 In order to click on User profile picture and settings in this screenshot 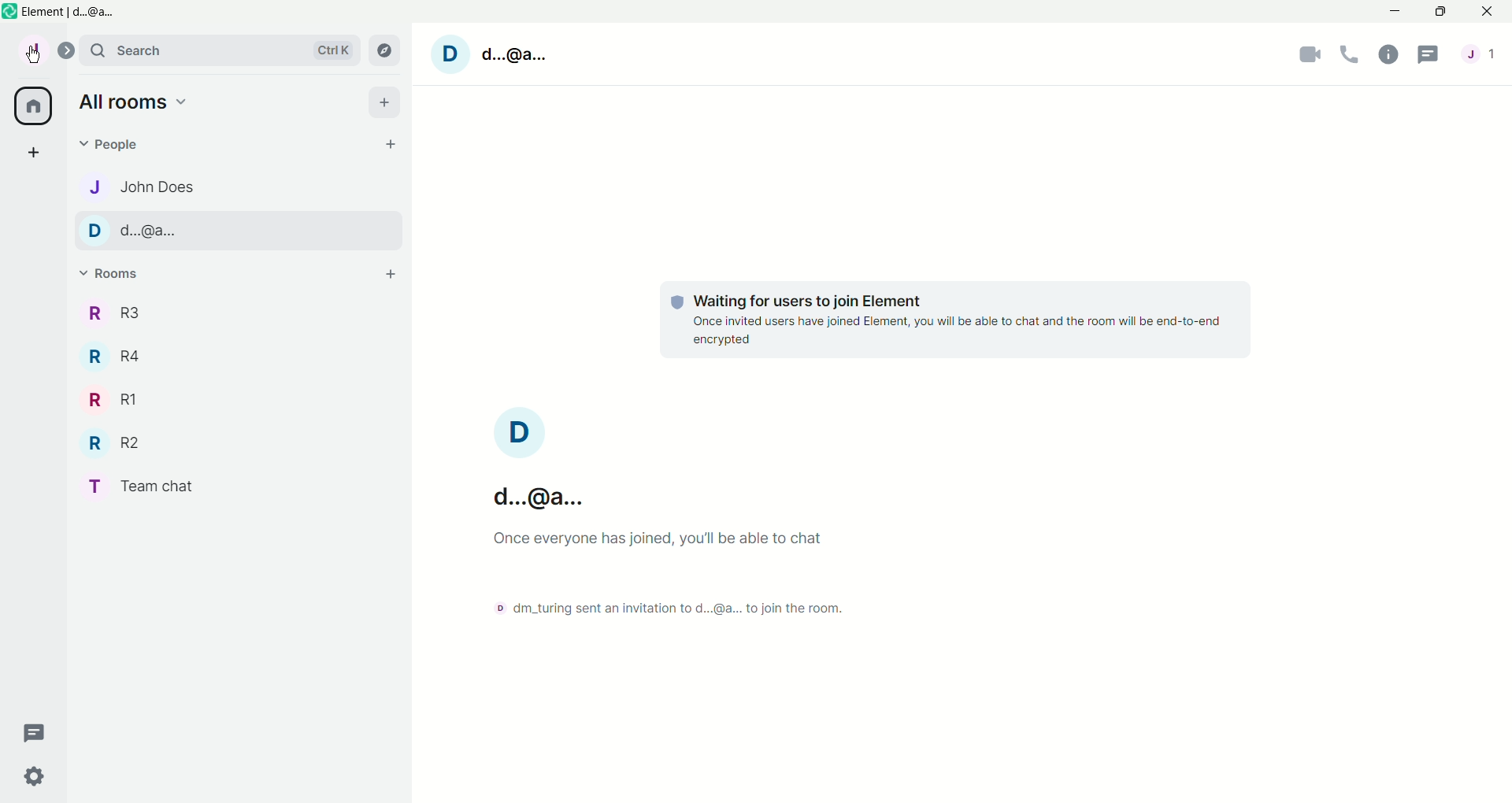, I will do `click(450, 55)`.